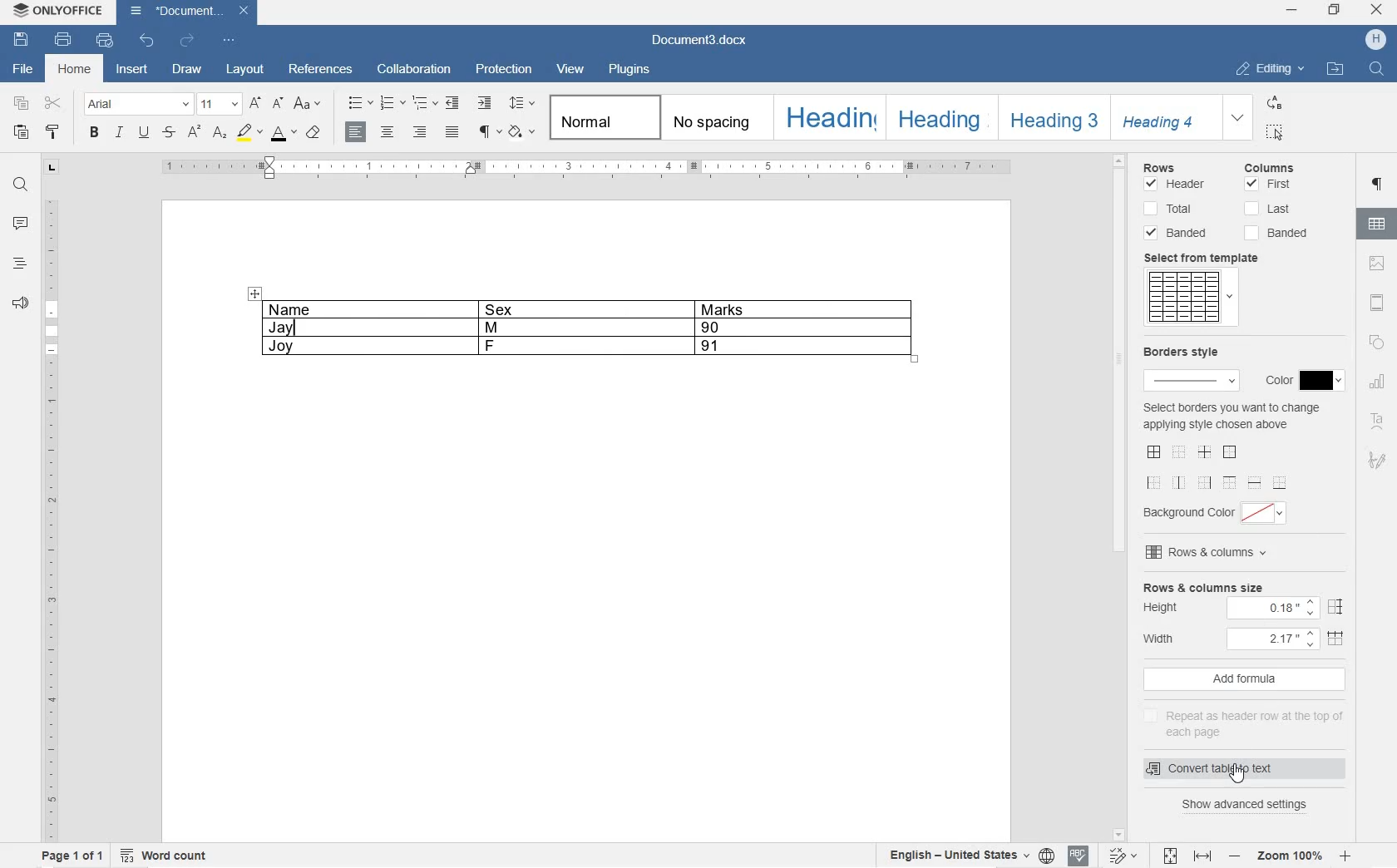 The width and height of the screenshot is (1397, 868). Describe the element at coordinates (72, 12) in the screenshot. I see `ONLYOFFICE` at that location.